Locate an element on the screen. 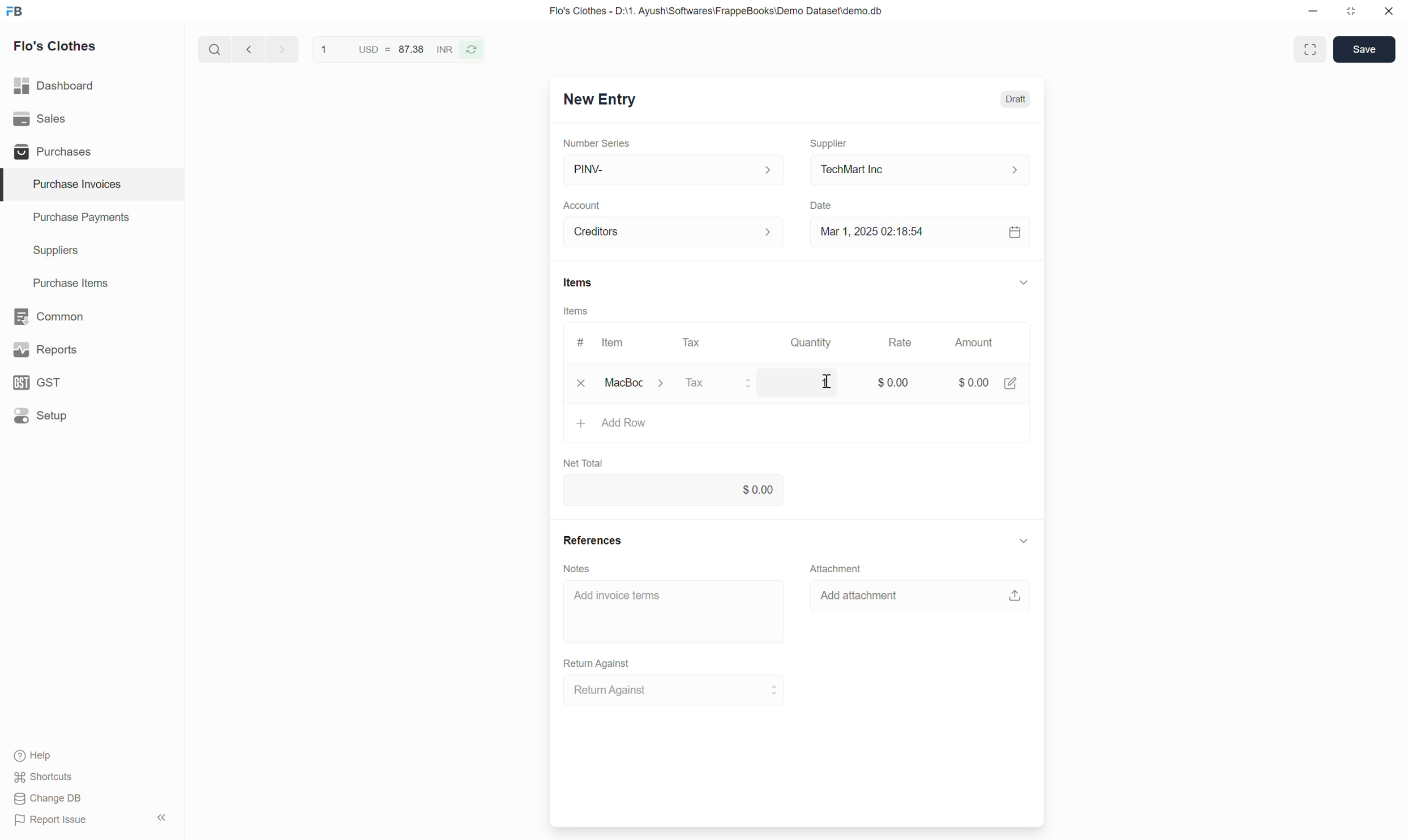  Collapse is located at coordinates (1024, 541).